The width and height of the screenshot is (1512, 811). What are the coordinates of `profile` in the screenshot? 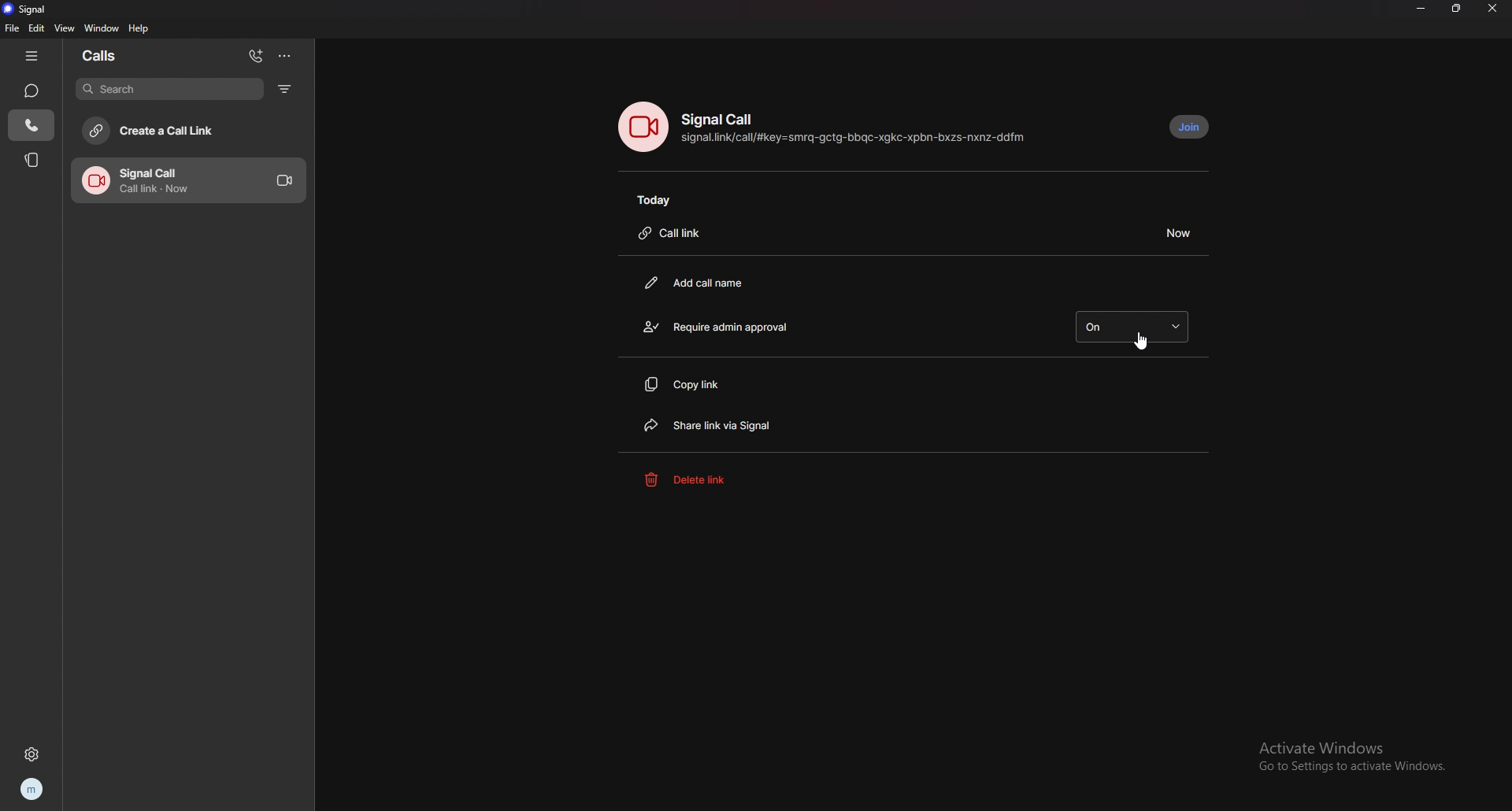 It's located at (33, 789).